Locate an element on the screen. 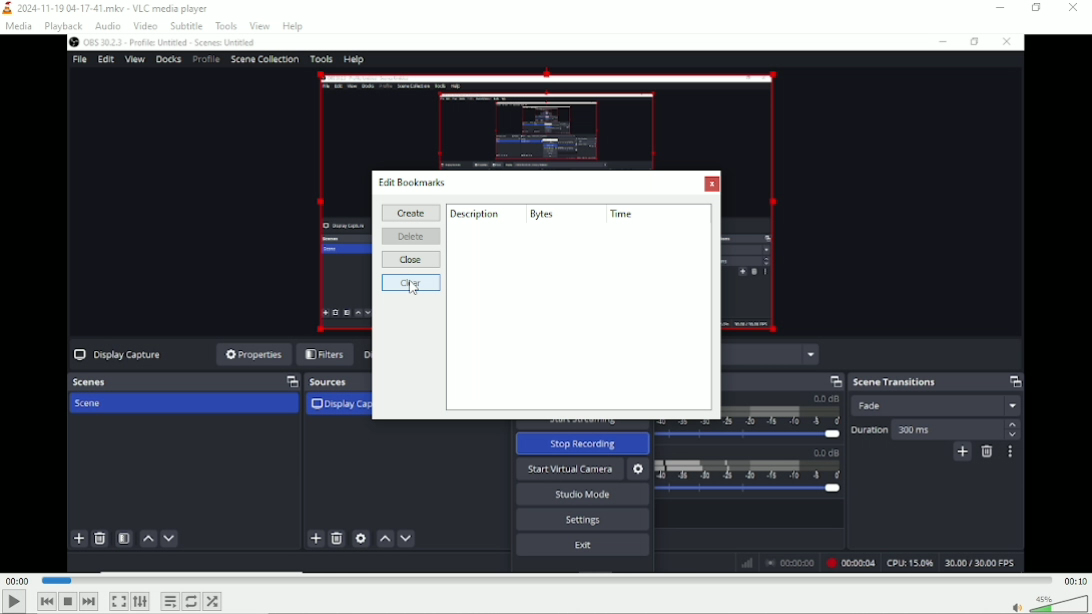 The height and width of the screenshot is (614, 1092). View is located at coordinates (258, 25).